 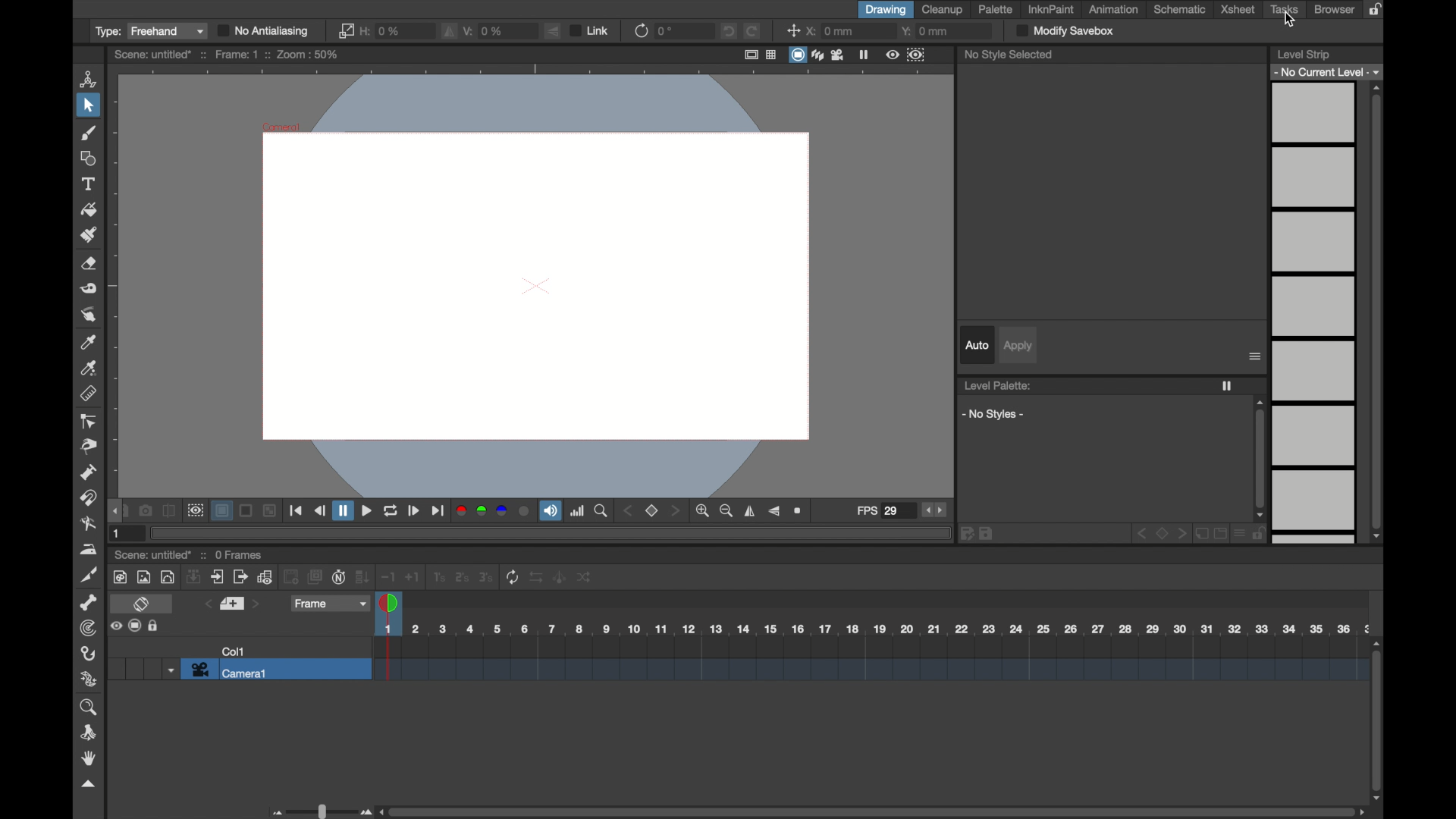 What do you see at coordinates (866, 660) in the screenshot?
I see `scene` at bounding box center [866, 660].